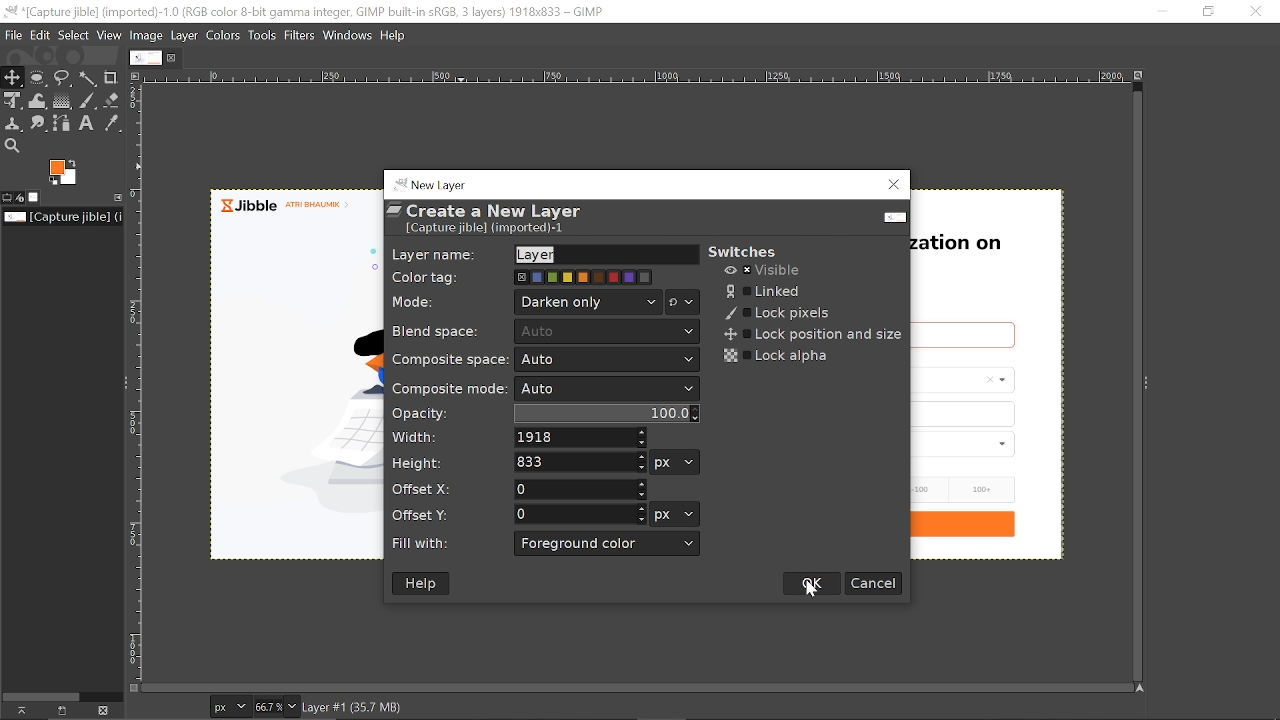 The height and width of the screenshot is (720, 1280). Describe the element at coordinates (583, 438) in the screenshot. I see `weidth` at that location.